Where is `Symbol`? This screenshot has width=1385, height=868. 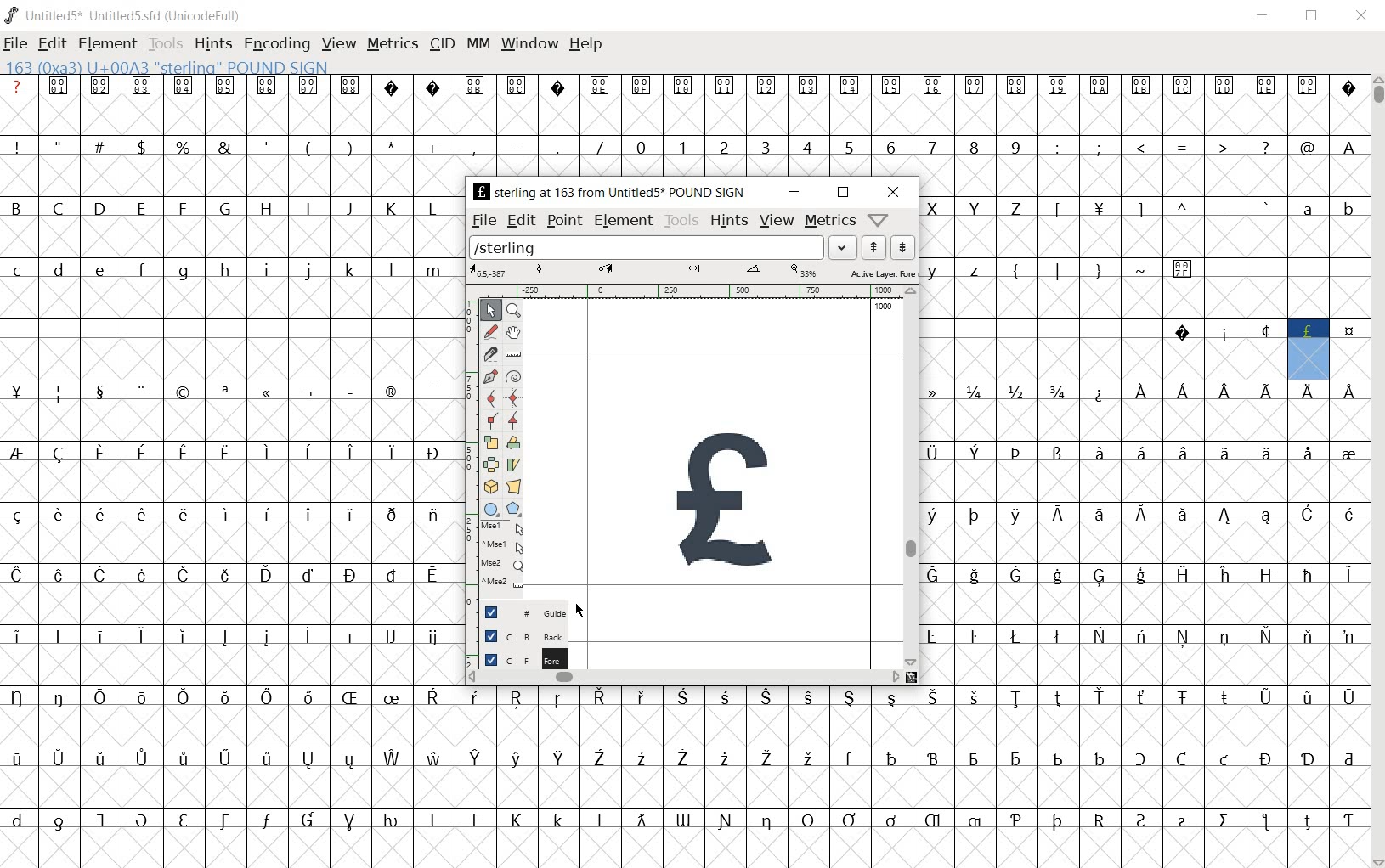
Symbol is located at coordinates (141, 454).